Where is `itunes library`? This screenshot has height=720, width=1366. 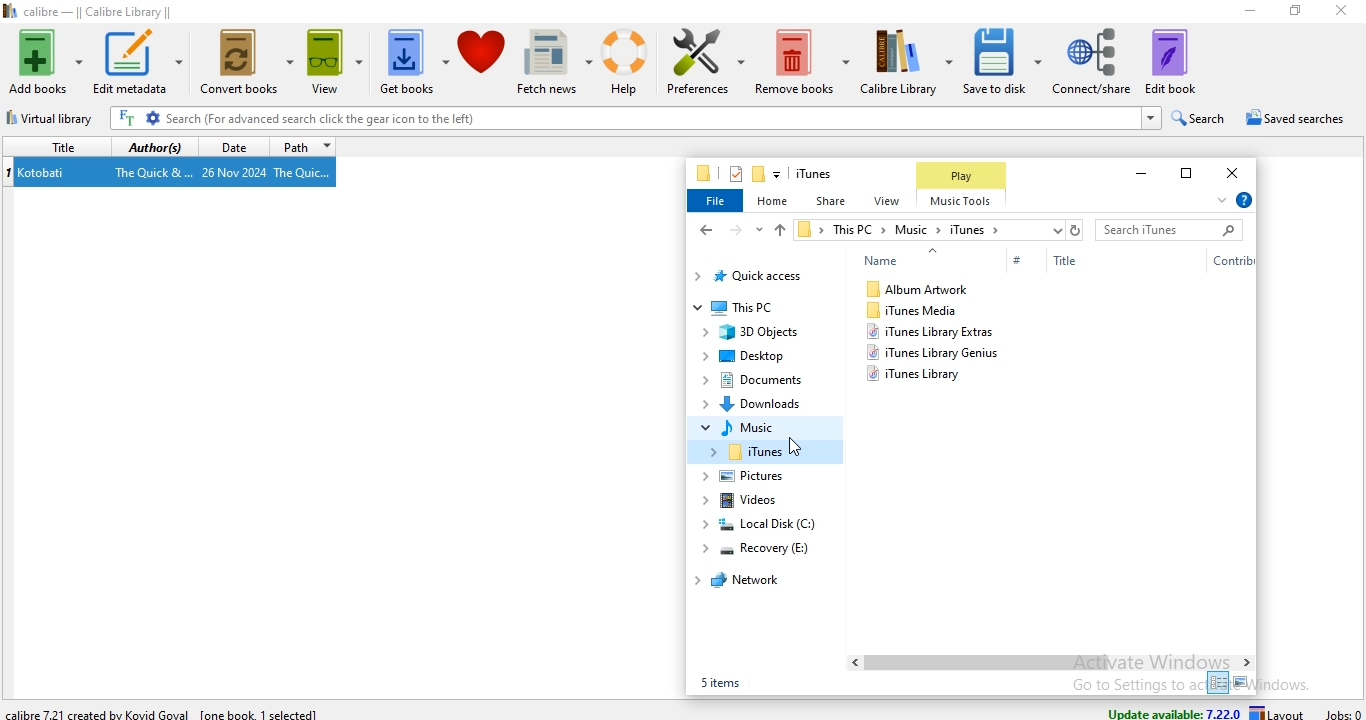
itunes library is located at coordinates (915, 375).